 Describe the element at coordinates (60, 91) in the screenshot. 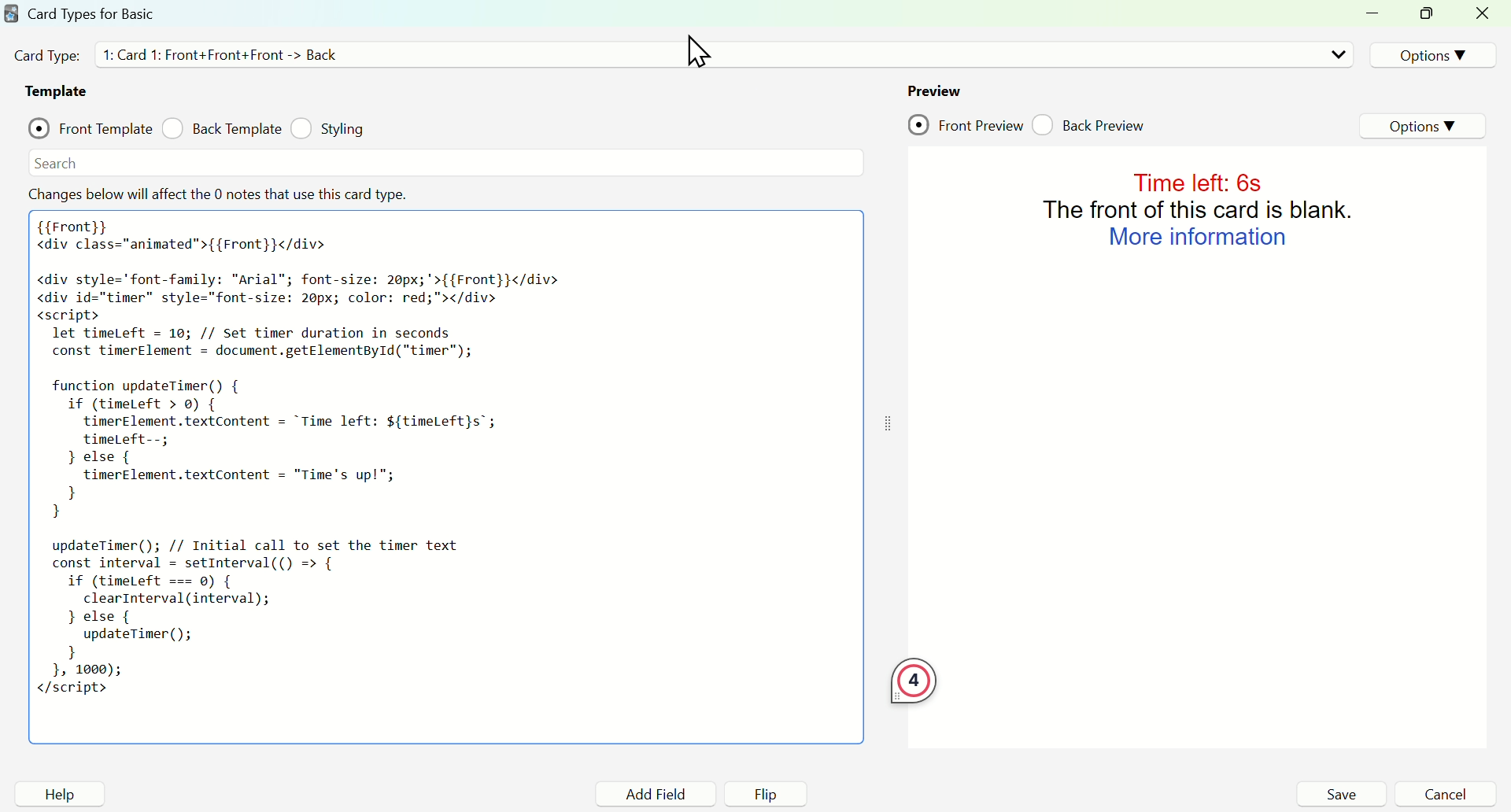

I see `Template` at that location.